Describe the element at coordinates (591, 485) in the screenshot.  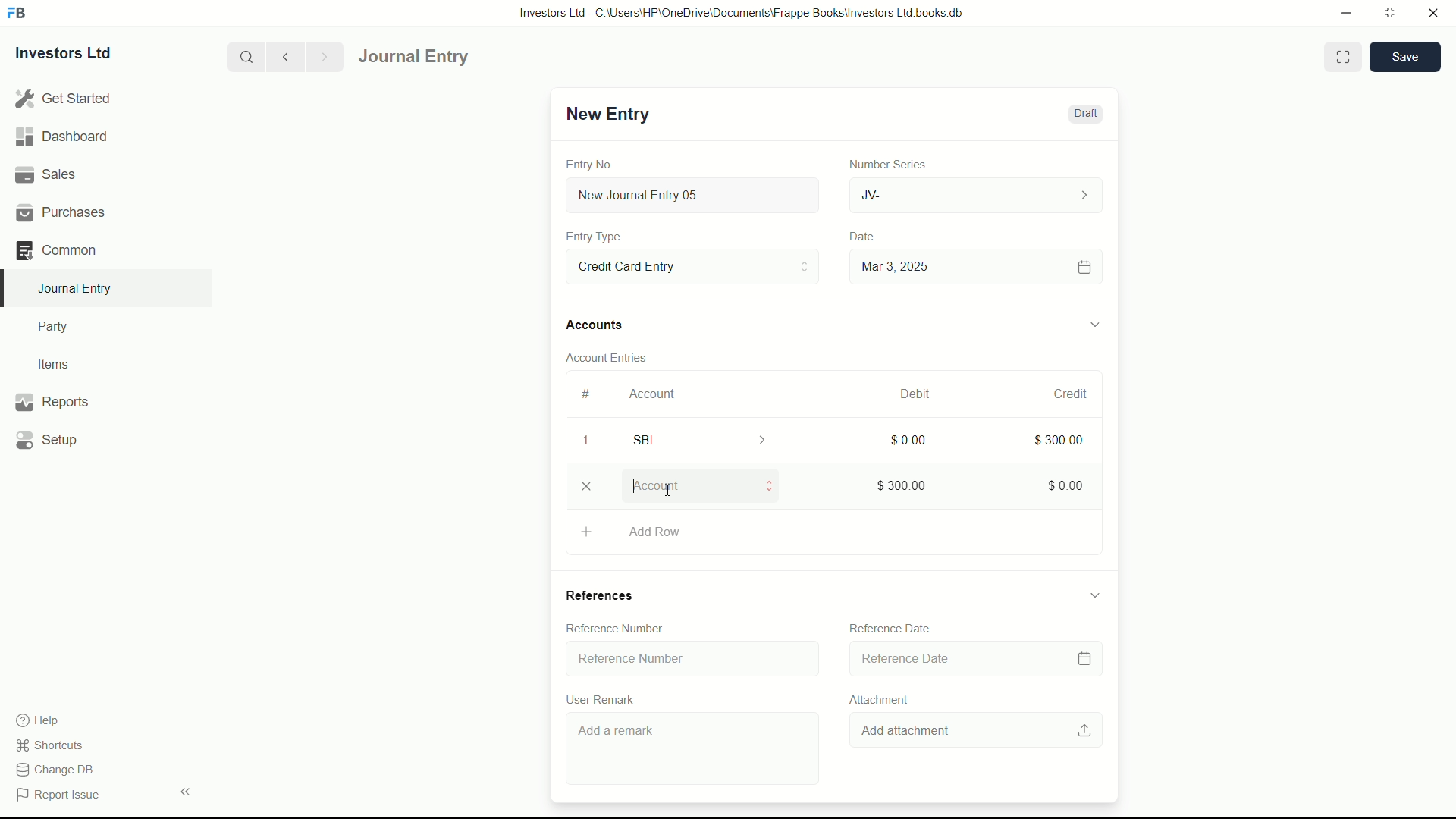
I see `close` at that location.